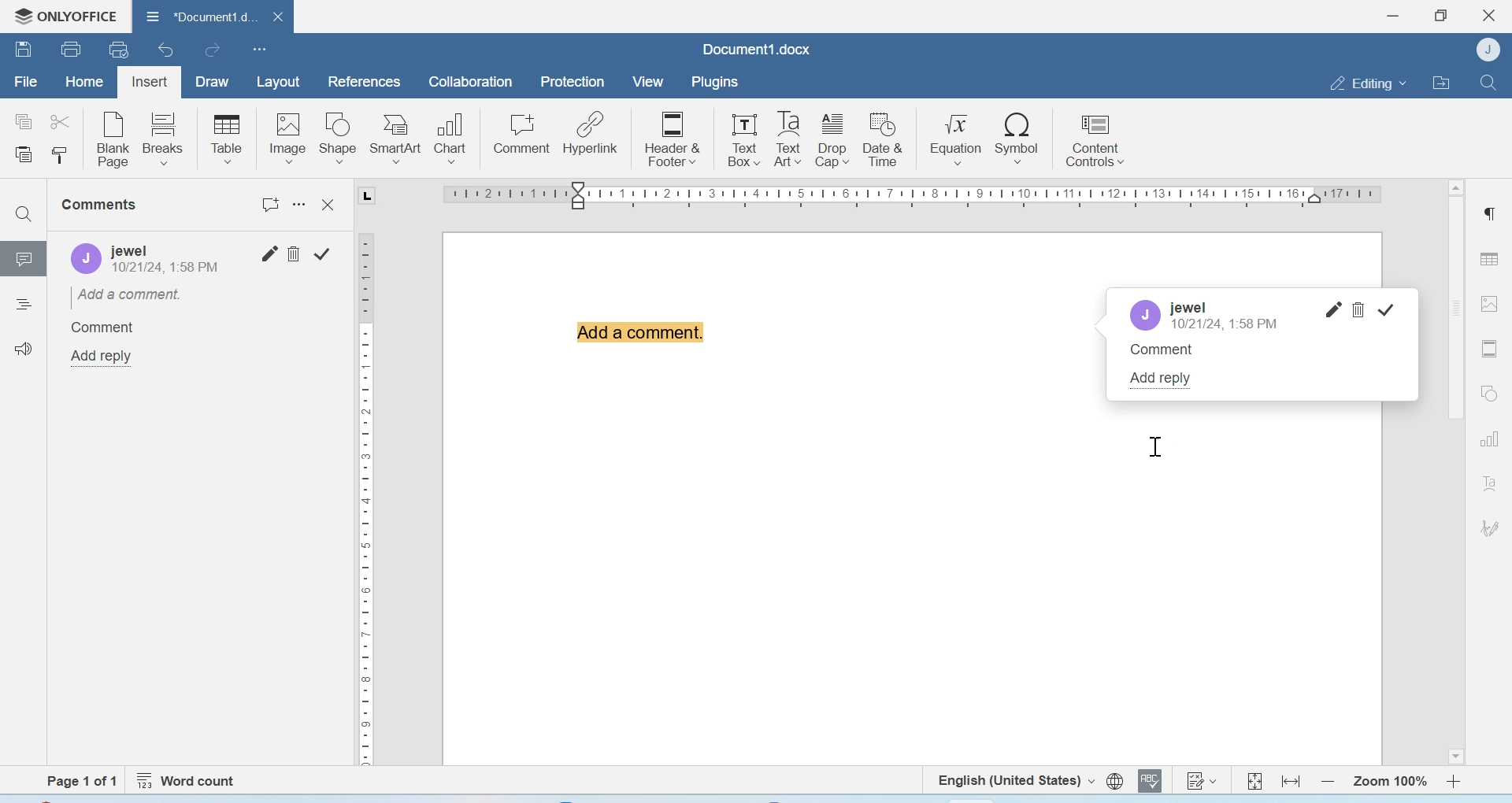  I want to click on close, so click(276, 16).